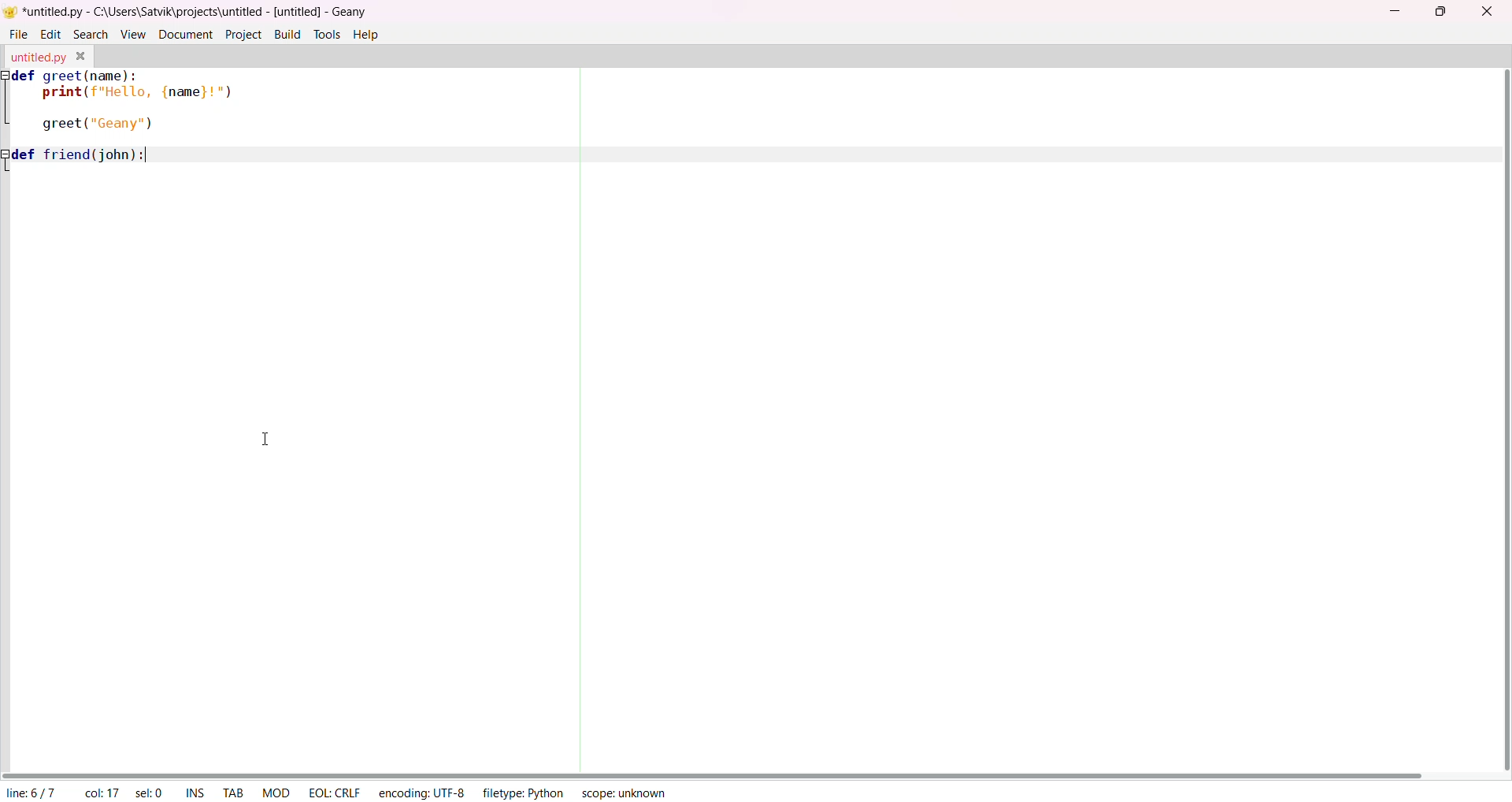 The height and width of the screenshot is (802, 1512). What do you see at coordinates (576, 413) in the screenshot?
I see `separator` at bounding box center [576, 413].